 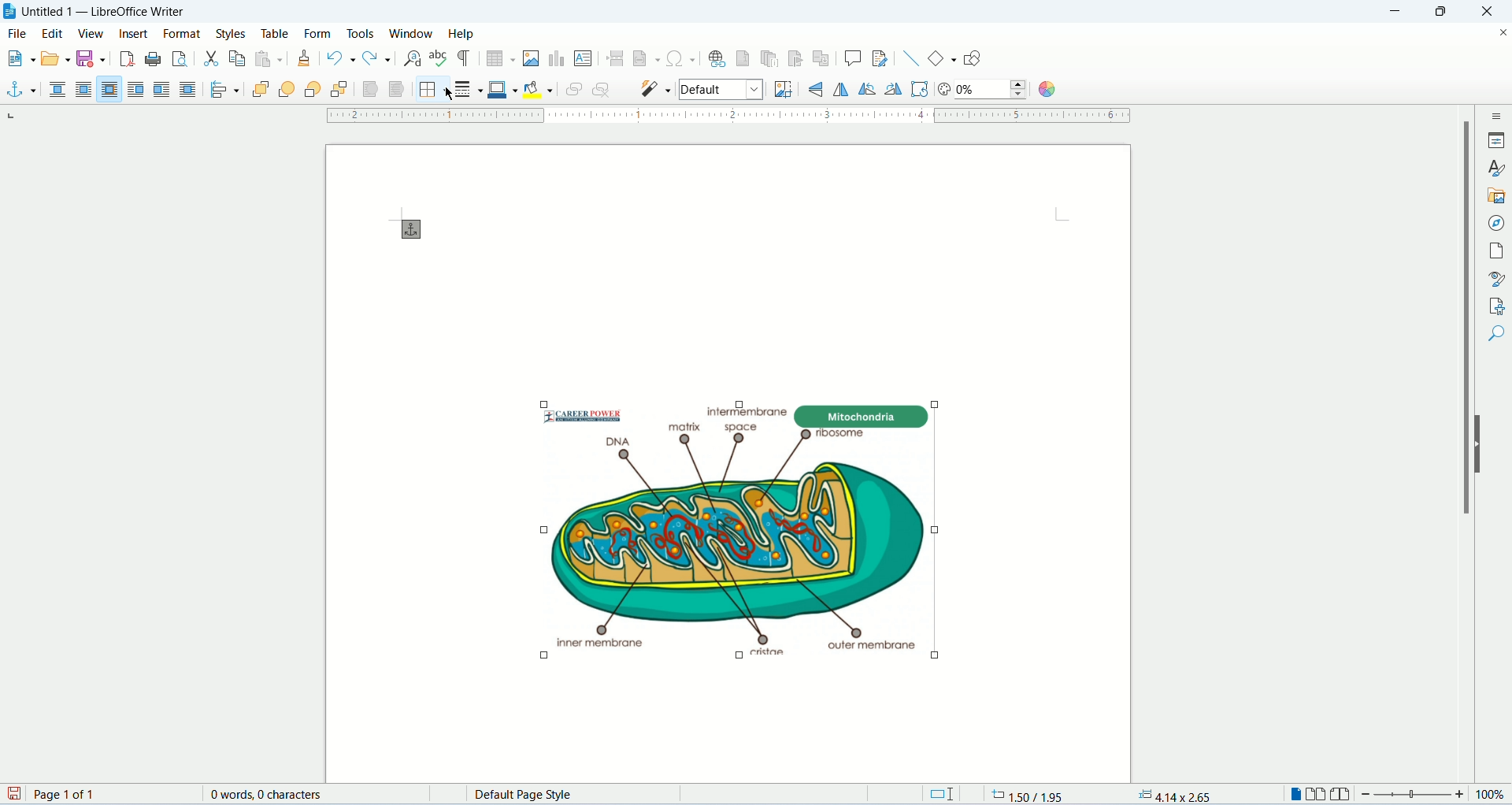 What do you see at coordinates (269, 58) in the screenshot?
I see `paste` at bounding box center [269, 58].